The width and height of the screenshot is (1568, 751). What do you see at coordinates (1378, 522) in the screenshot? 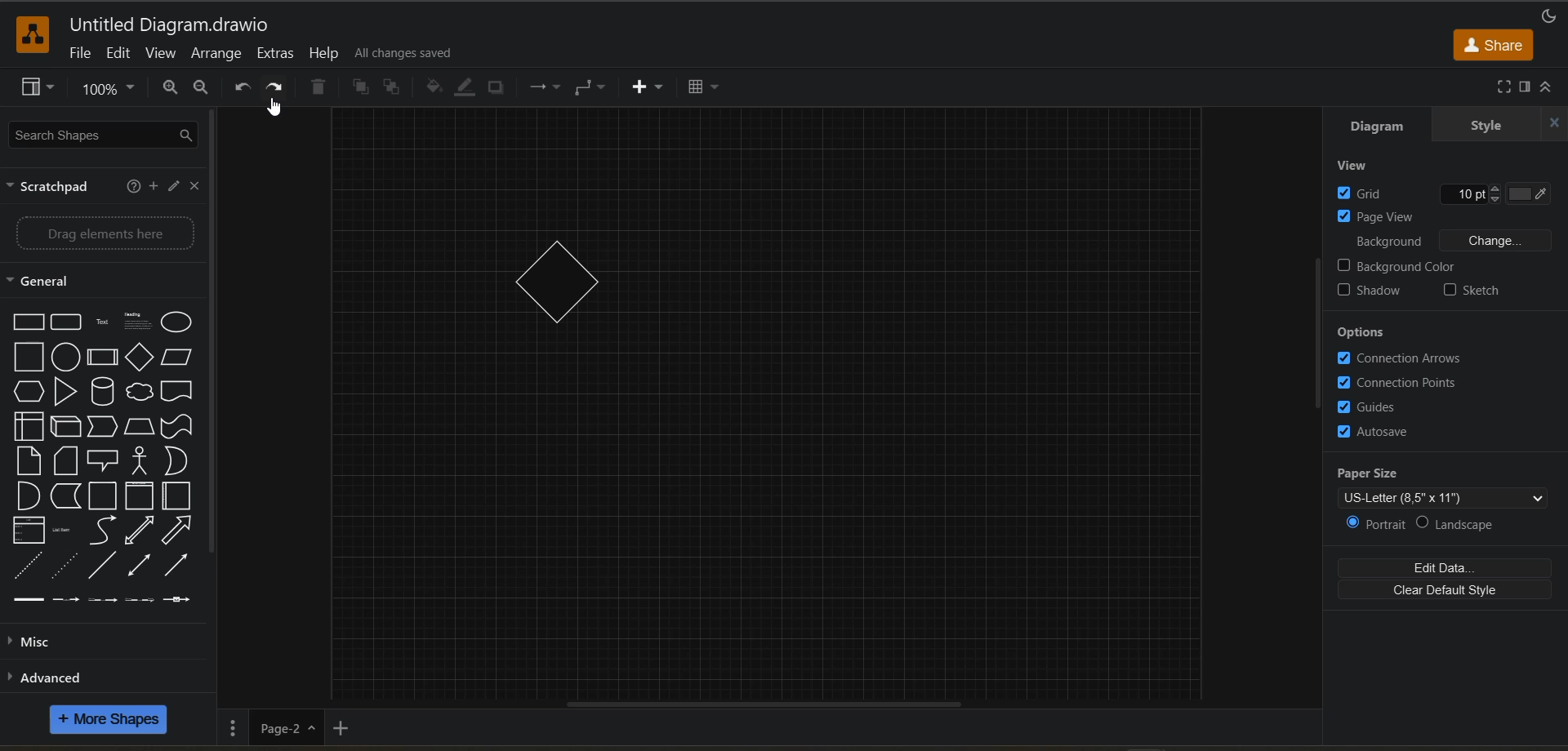
I see `portrait` at bounding box center [1378, 522].